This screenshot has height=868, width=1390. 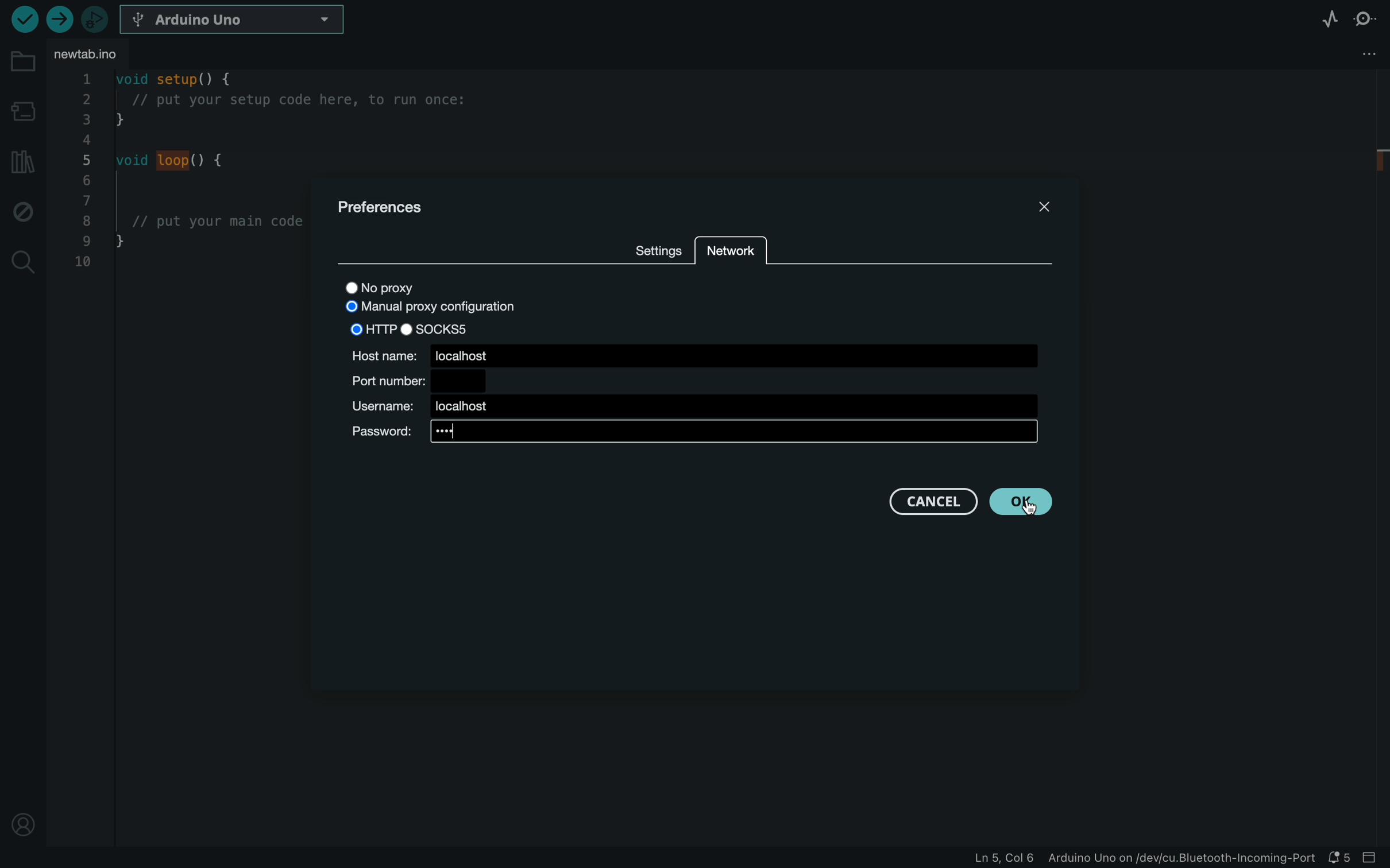 I want to click on debugger, so click(x=96, y=18).